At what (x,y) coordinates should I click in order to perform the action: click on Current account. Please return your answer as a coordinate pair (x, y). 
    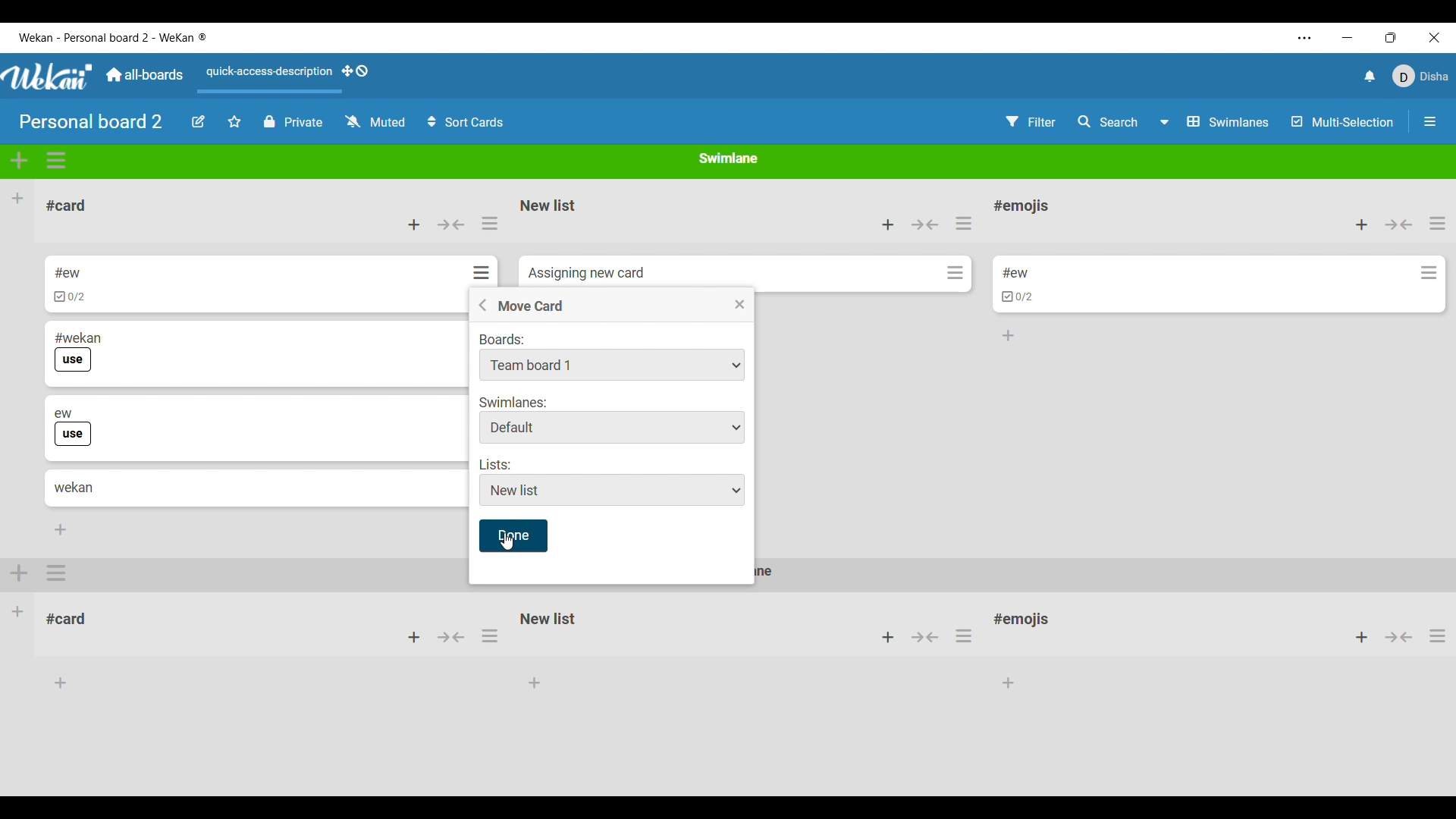
    Looking at the image, I should click on (1421, 76).